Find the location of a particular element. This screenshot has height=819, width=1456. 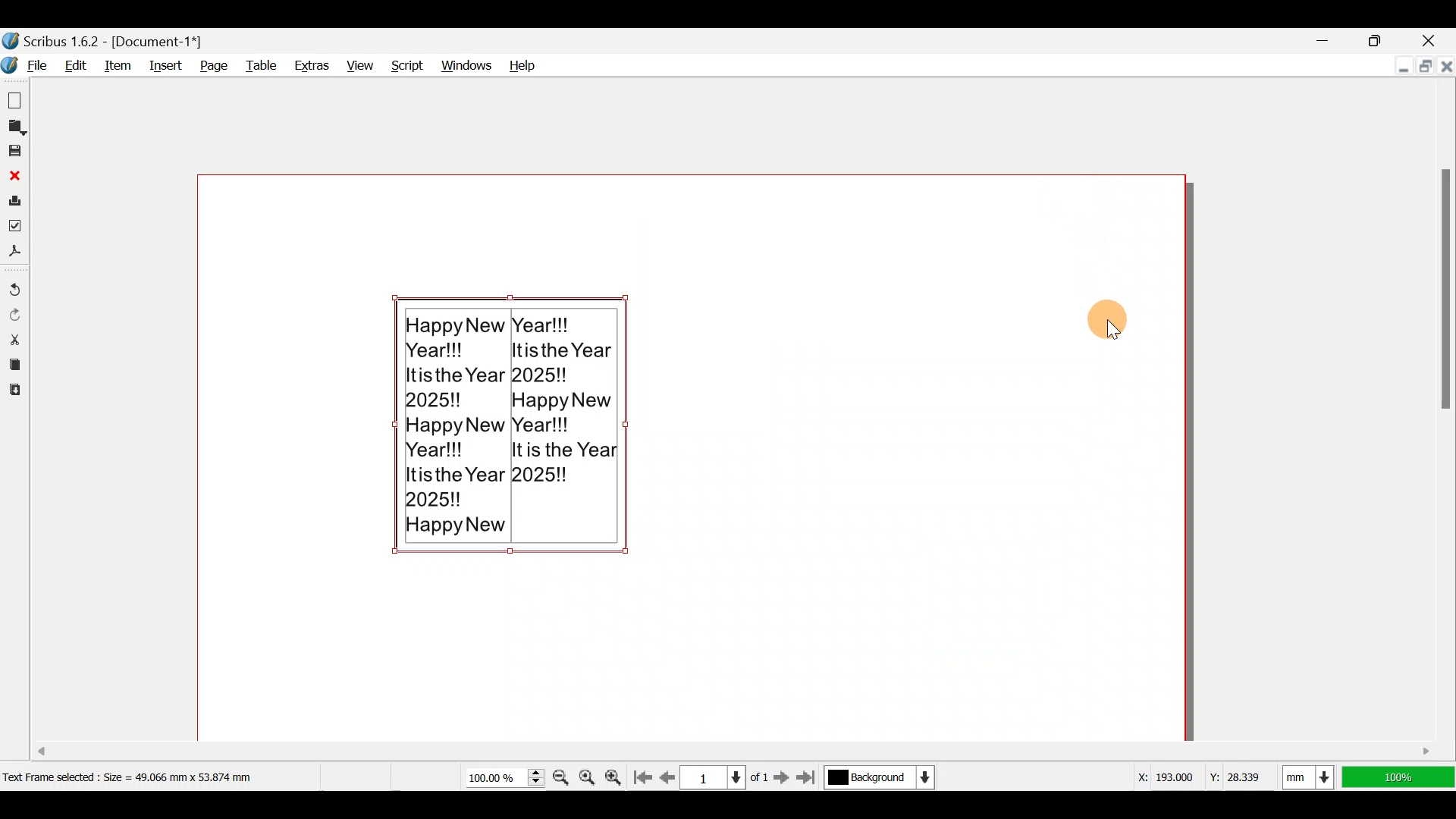

Close is located at coordinates (1437, 37).